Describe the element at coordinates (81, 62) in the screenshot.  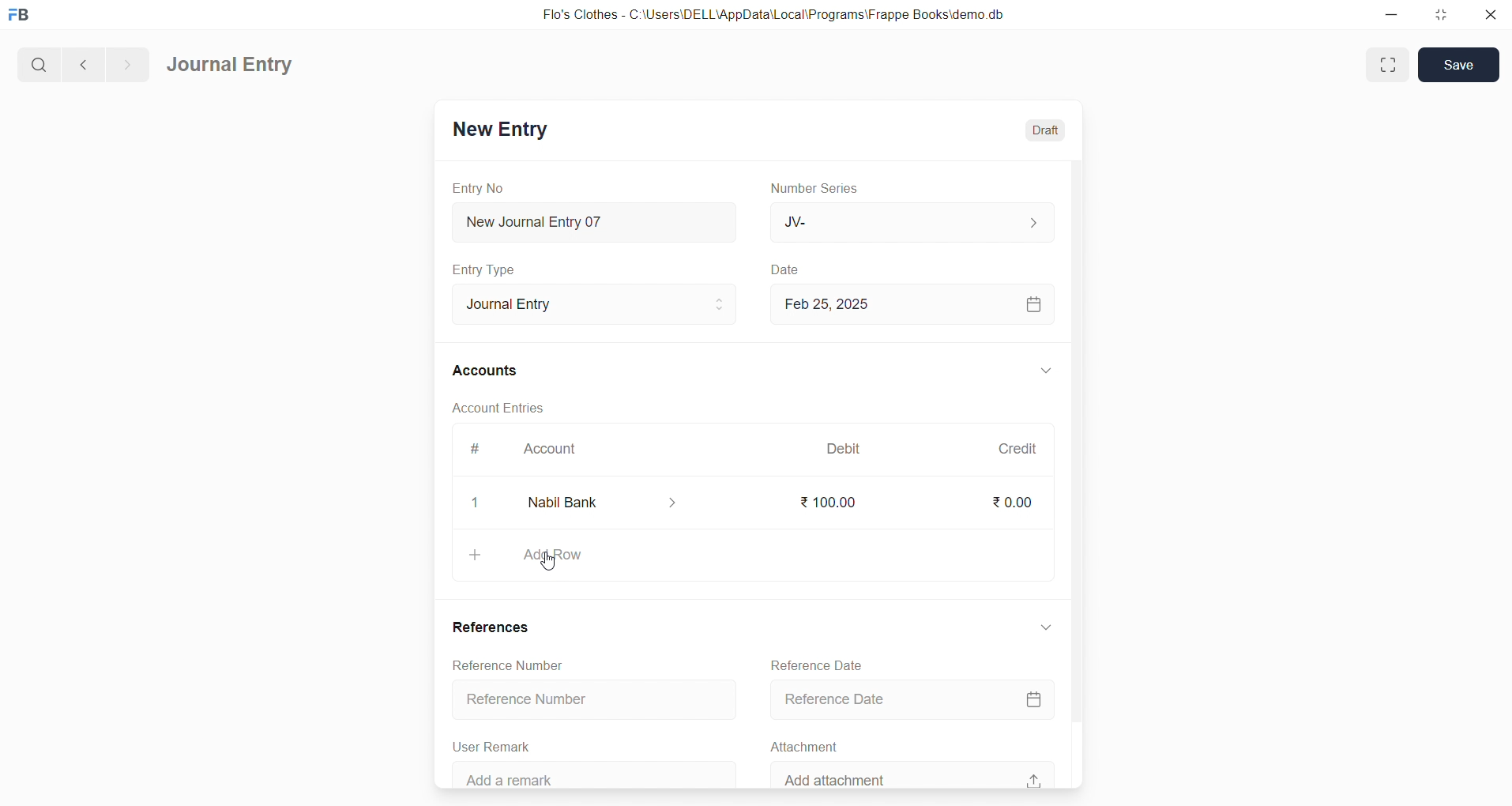
I see `navigate backward ` at that location.